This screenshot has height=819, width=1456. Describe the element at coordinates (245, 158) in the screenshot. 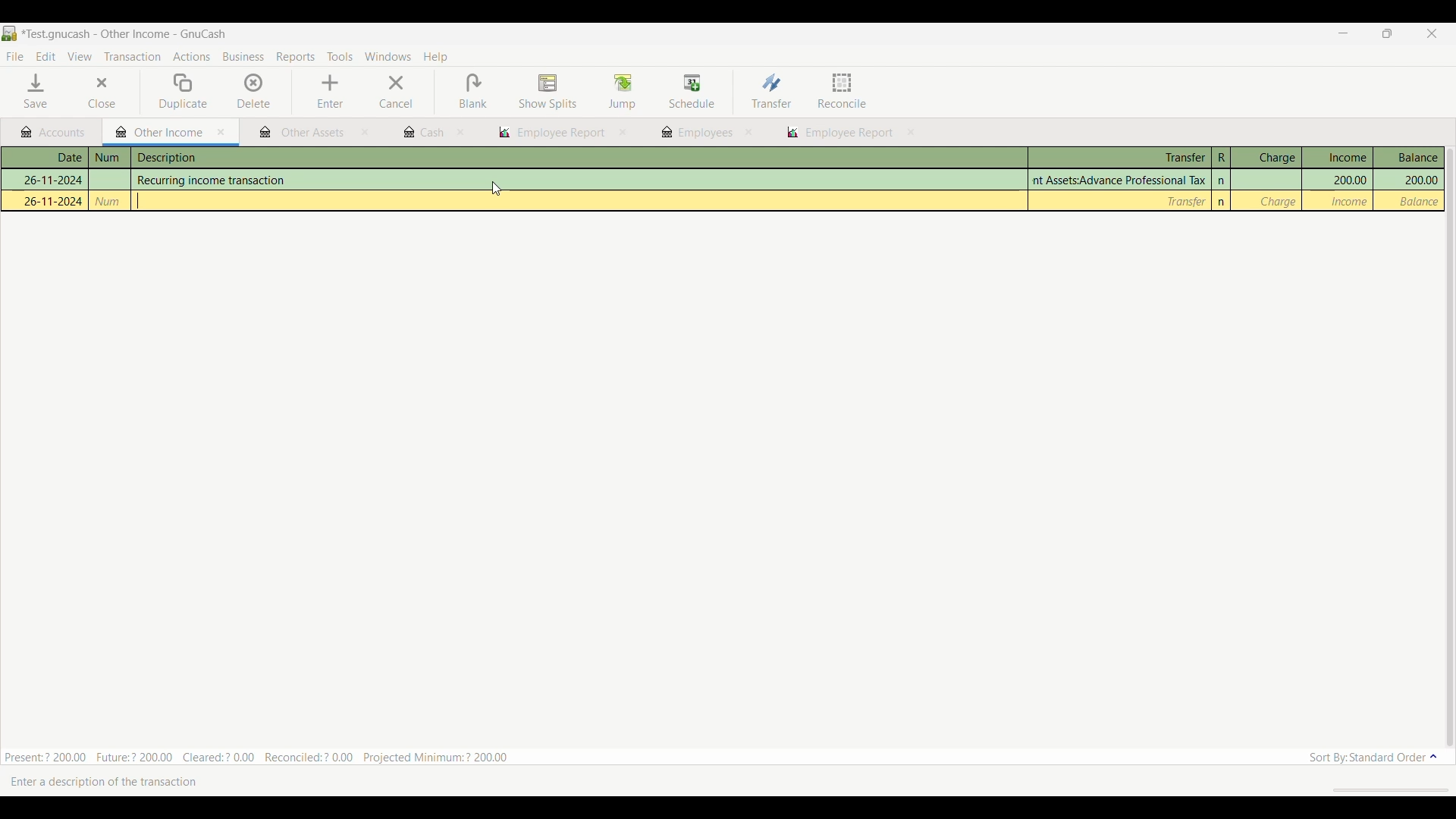

I see `description` at that location.